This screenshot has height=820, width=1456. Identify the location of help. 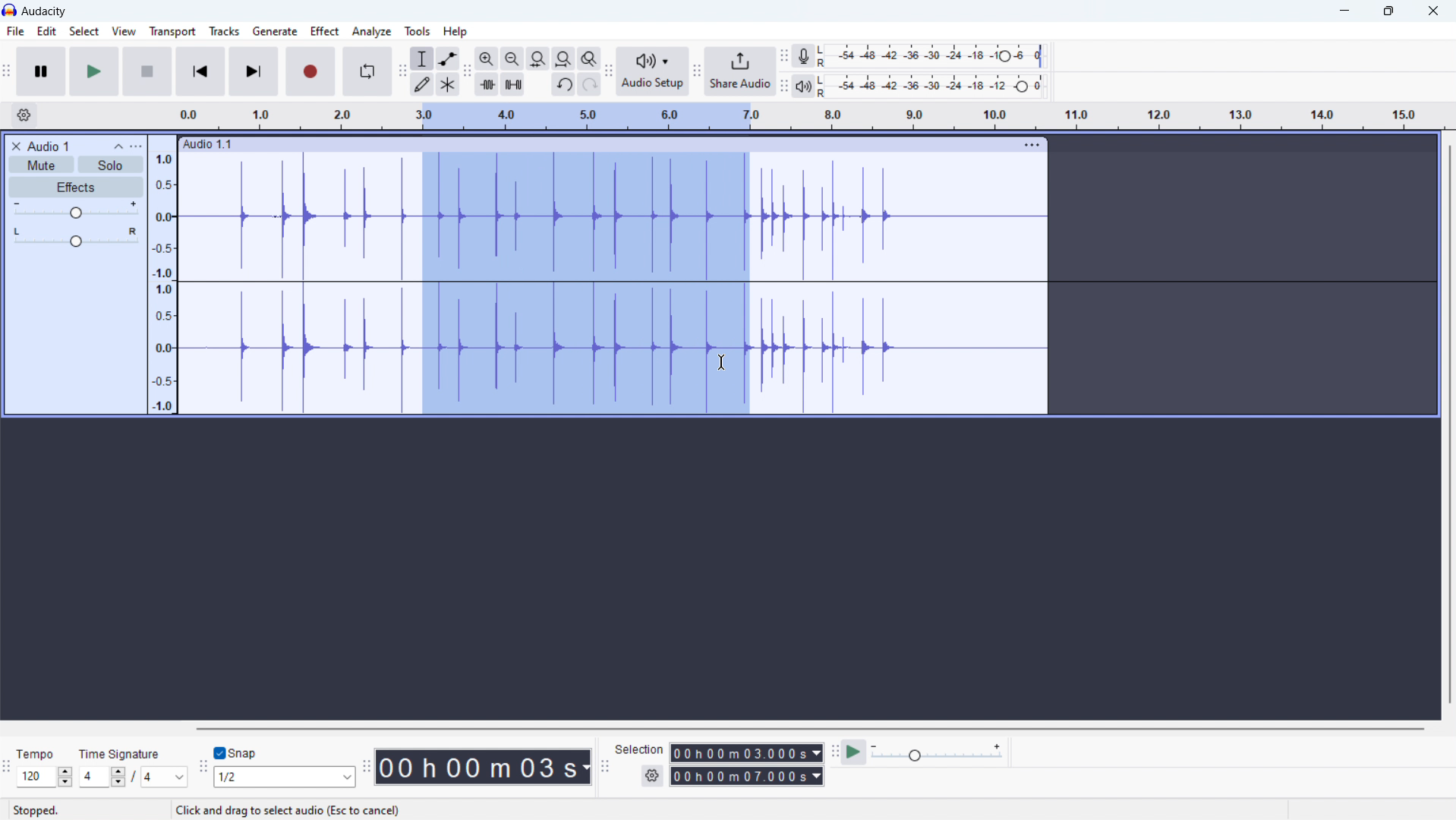
(455, 32).